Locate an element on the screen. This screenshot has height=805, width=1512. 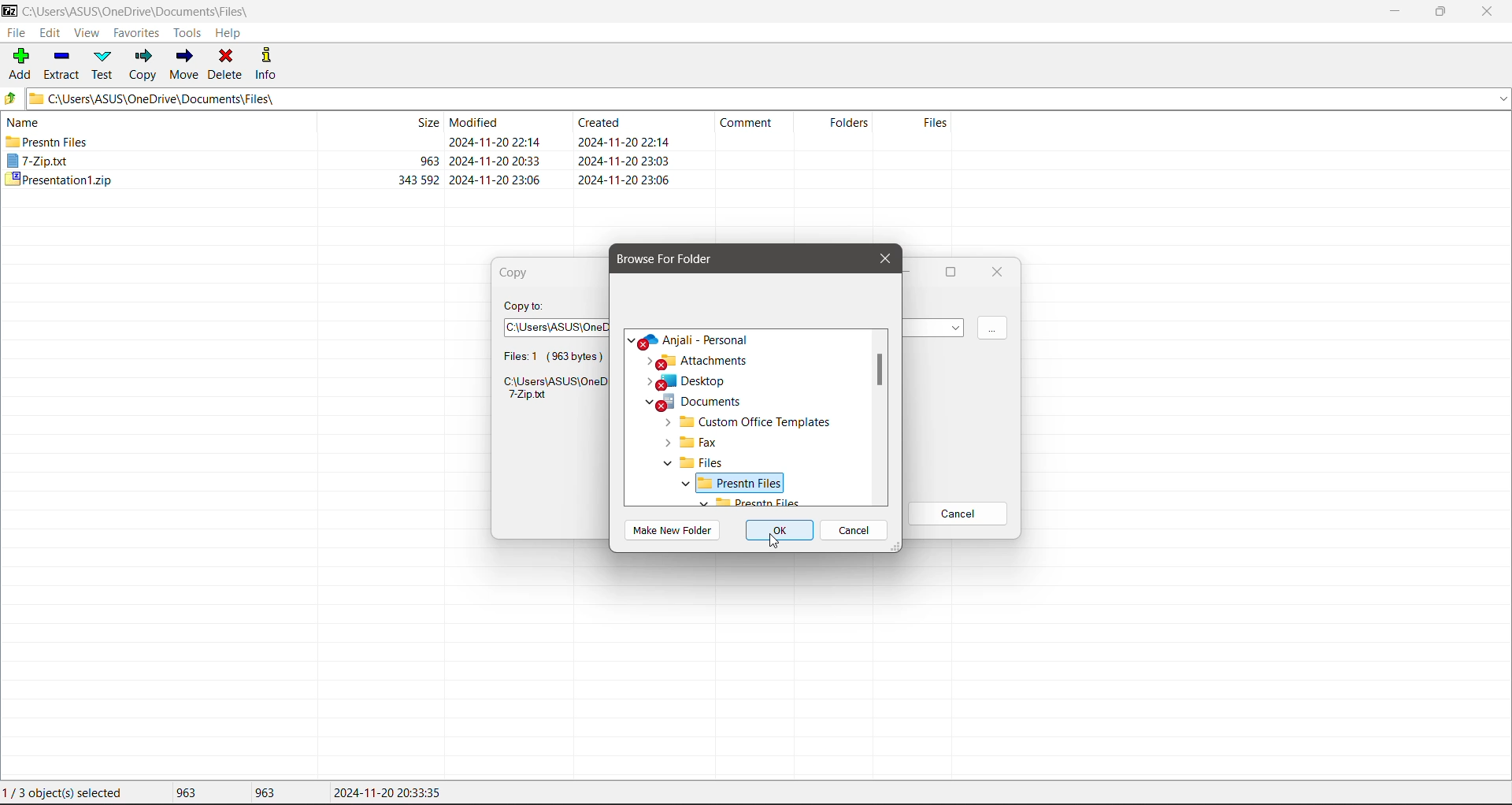
Cloud Location is located at coordinates (697, 340).